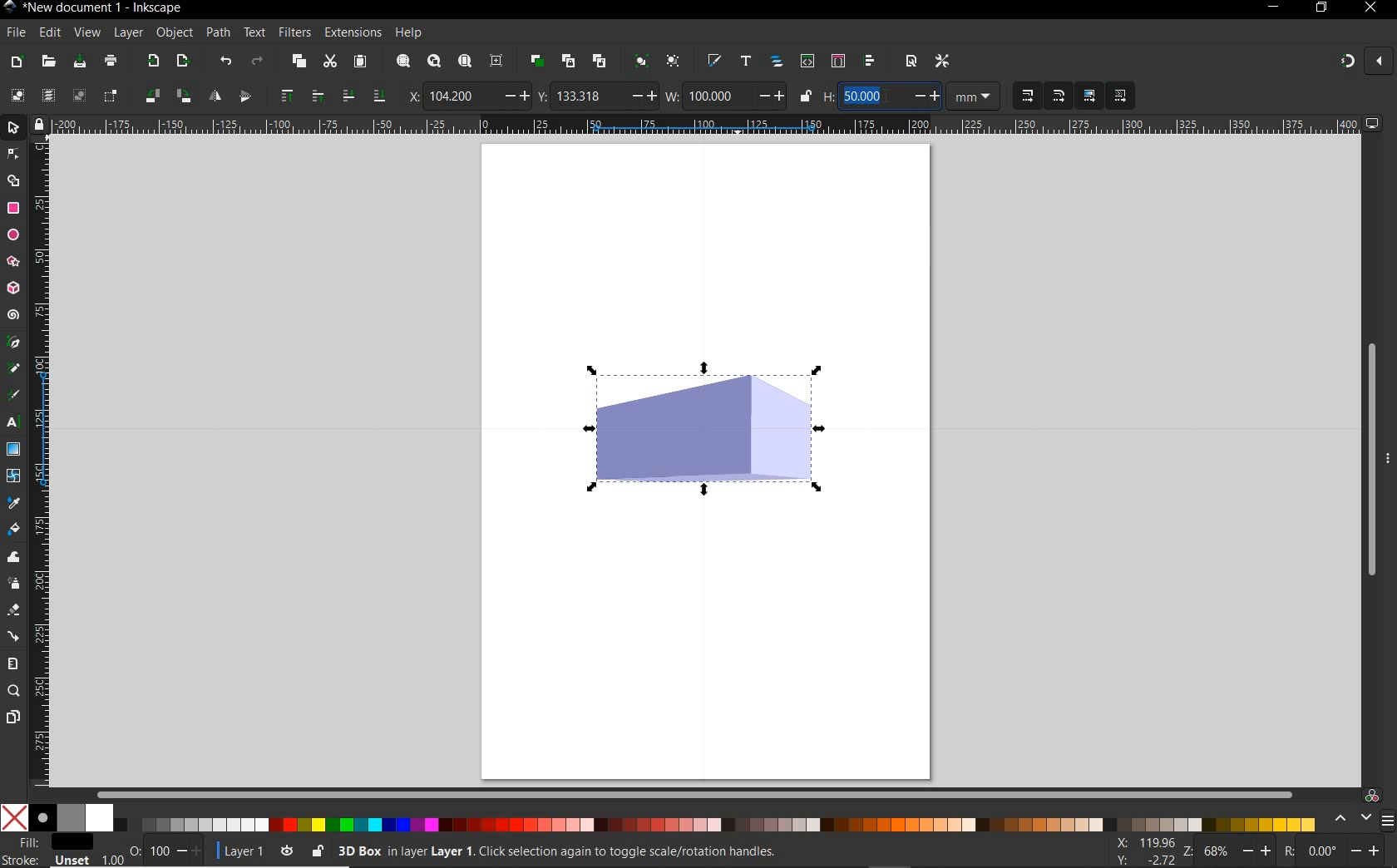 This screenshot has width=1397, height=868. What do you see at coordinates (1321, 851) in the screenshot?
I see `0` at bounding box center [1321, 851].